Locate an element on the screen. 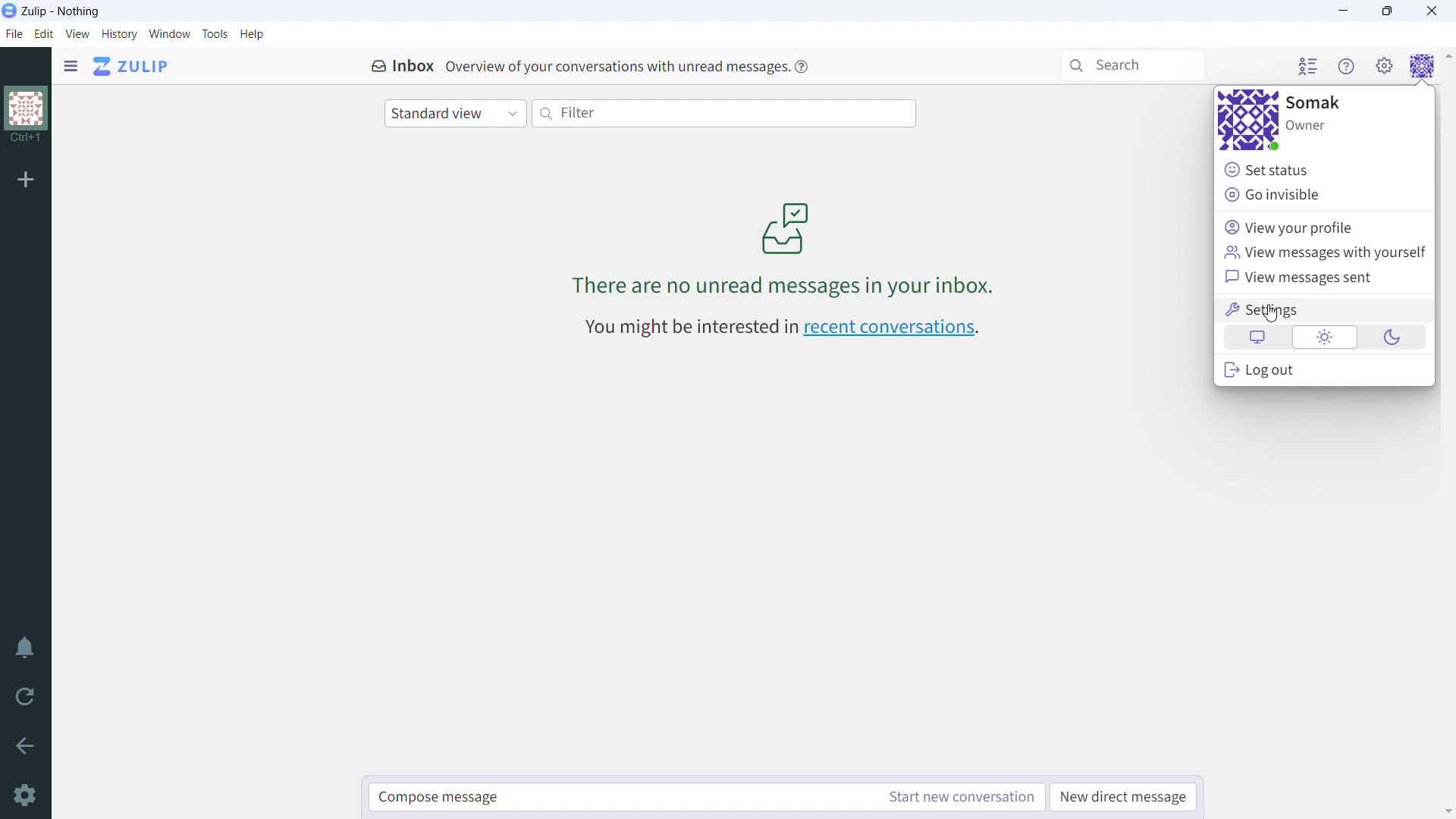  tools is located at coordinates (215, 33).